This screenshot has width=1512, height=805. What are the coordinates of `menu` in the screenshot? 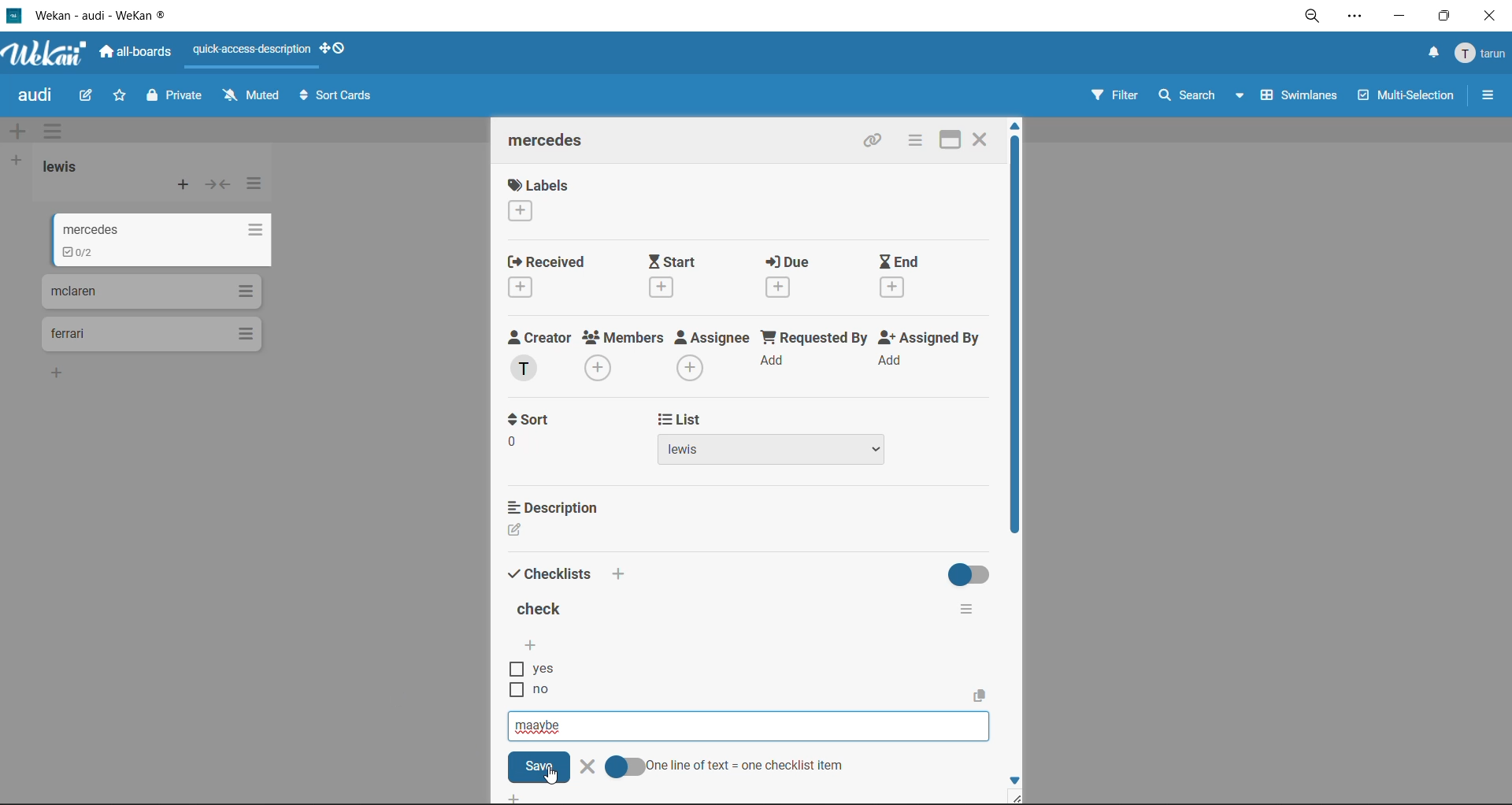 It's located at (1479, 54).